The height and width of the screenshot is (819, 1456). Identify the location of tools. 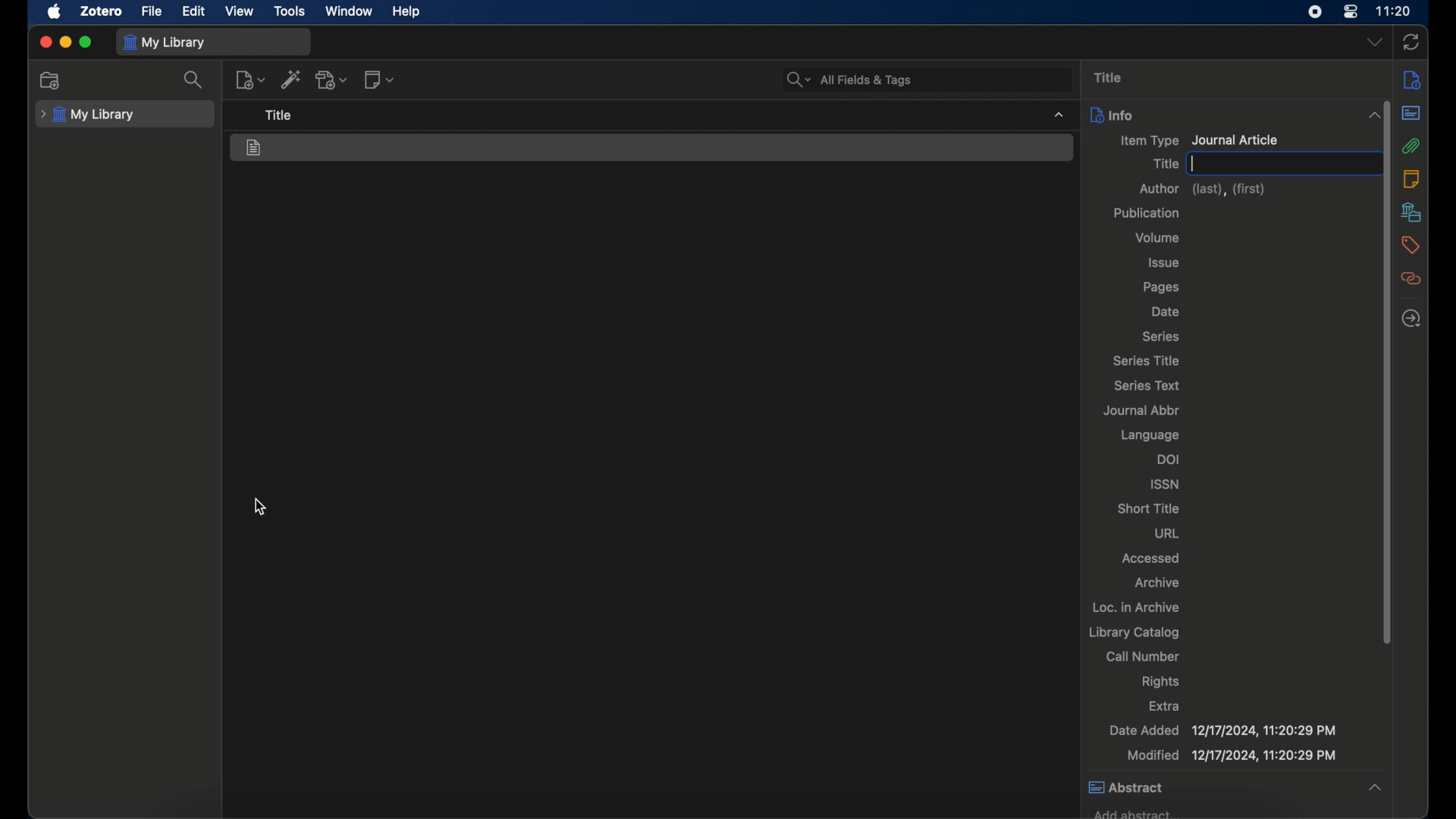
(290, 11).